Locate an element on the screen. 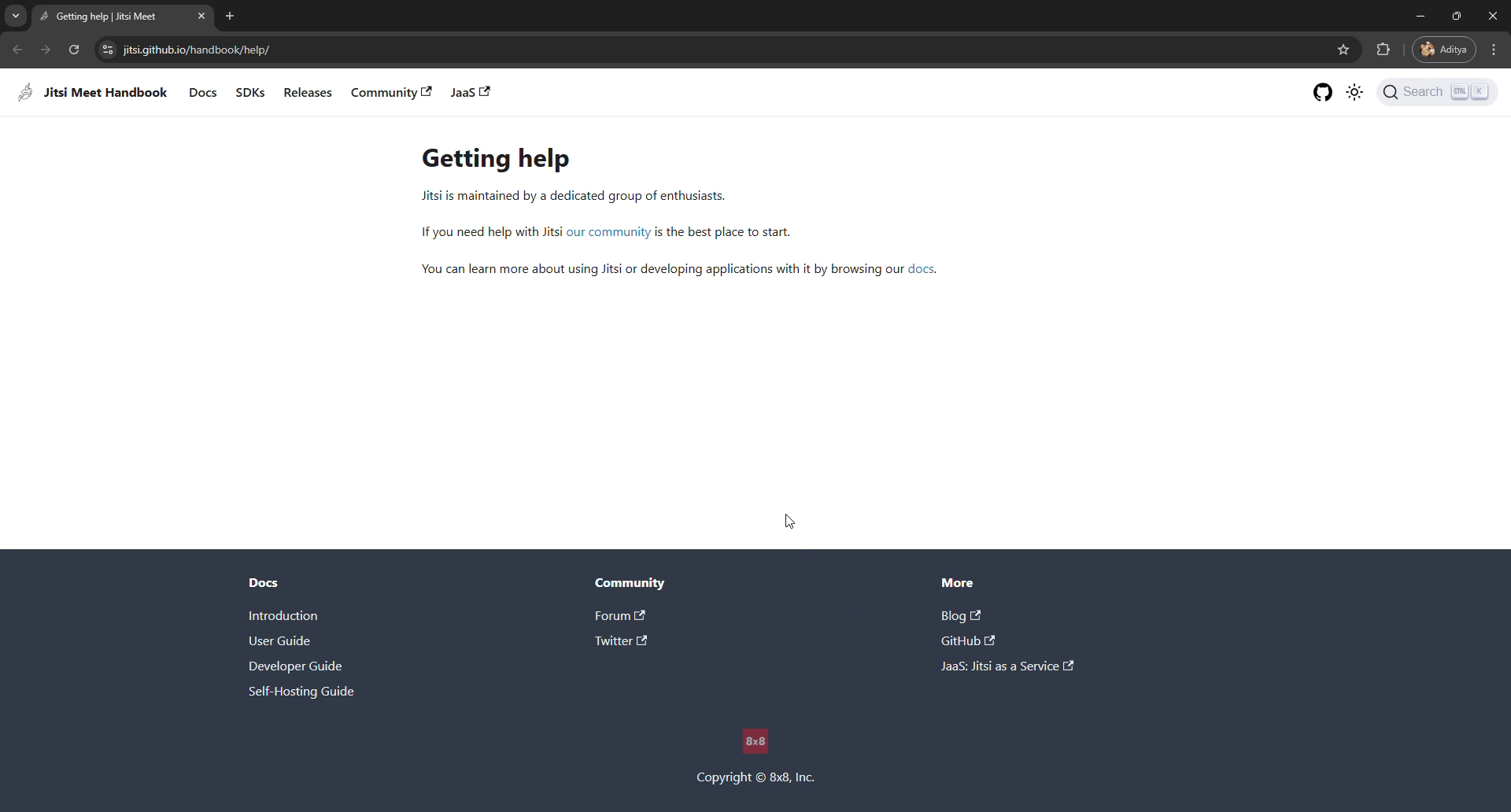 This screenshot has height=812, width=1511. If you need help with Jitsi our community is the best place to start. is located at coordinates (607, 233).